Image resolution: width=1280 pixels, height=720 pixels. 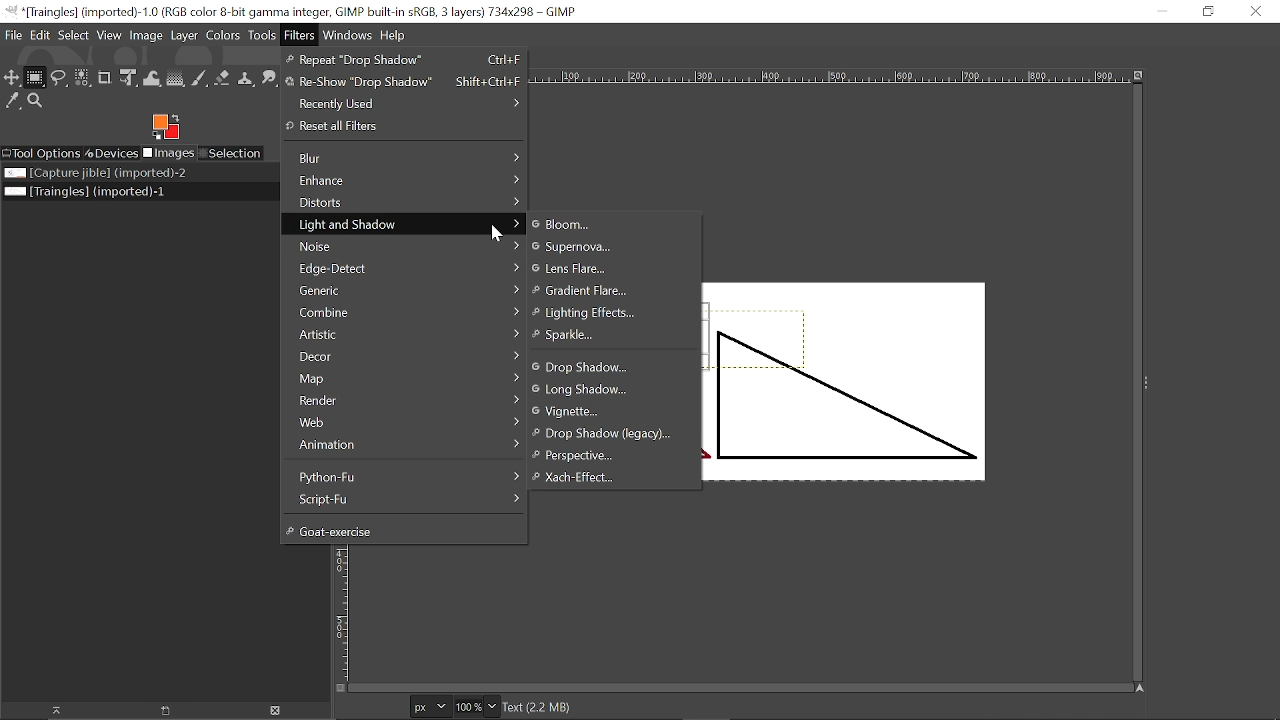 I want to click on Map, so click(x=406, y=381).